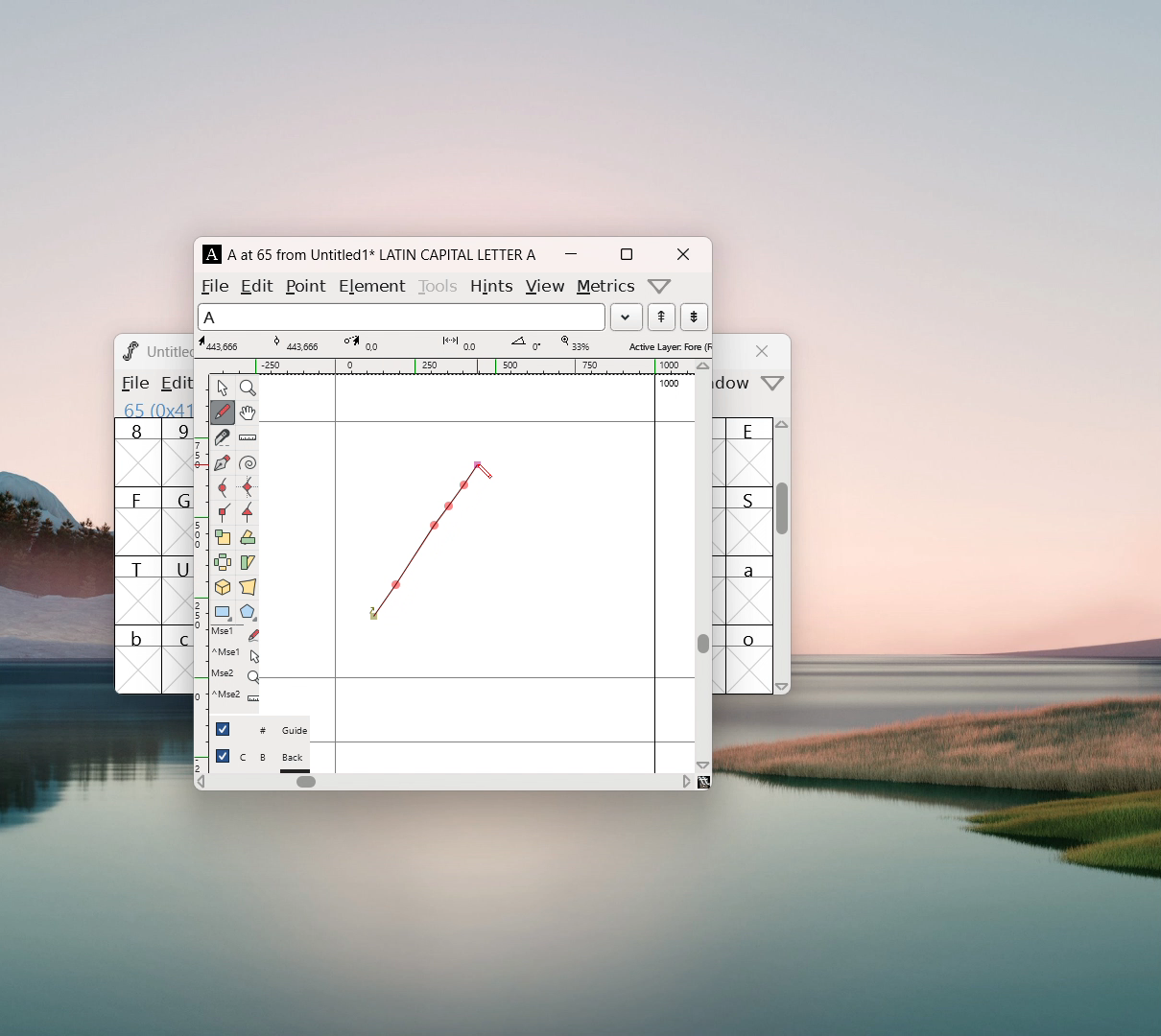 The image size is (1161, 1036). Describe the element at coordinates (247, 539) in the screenshot. I see `rotate the selection` at that location.